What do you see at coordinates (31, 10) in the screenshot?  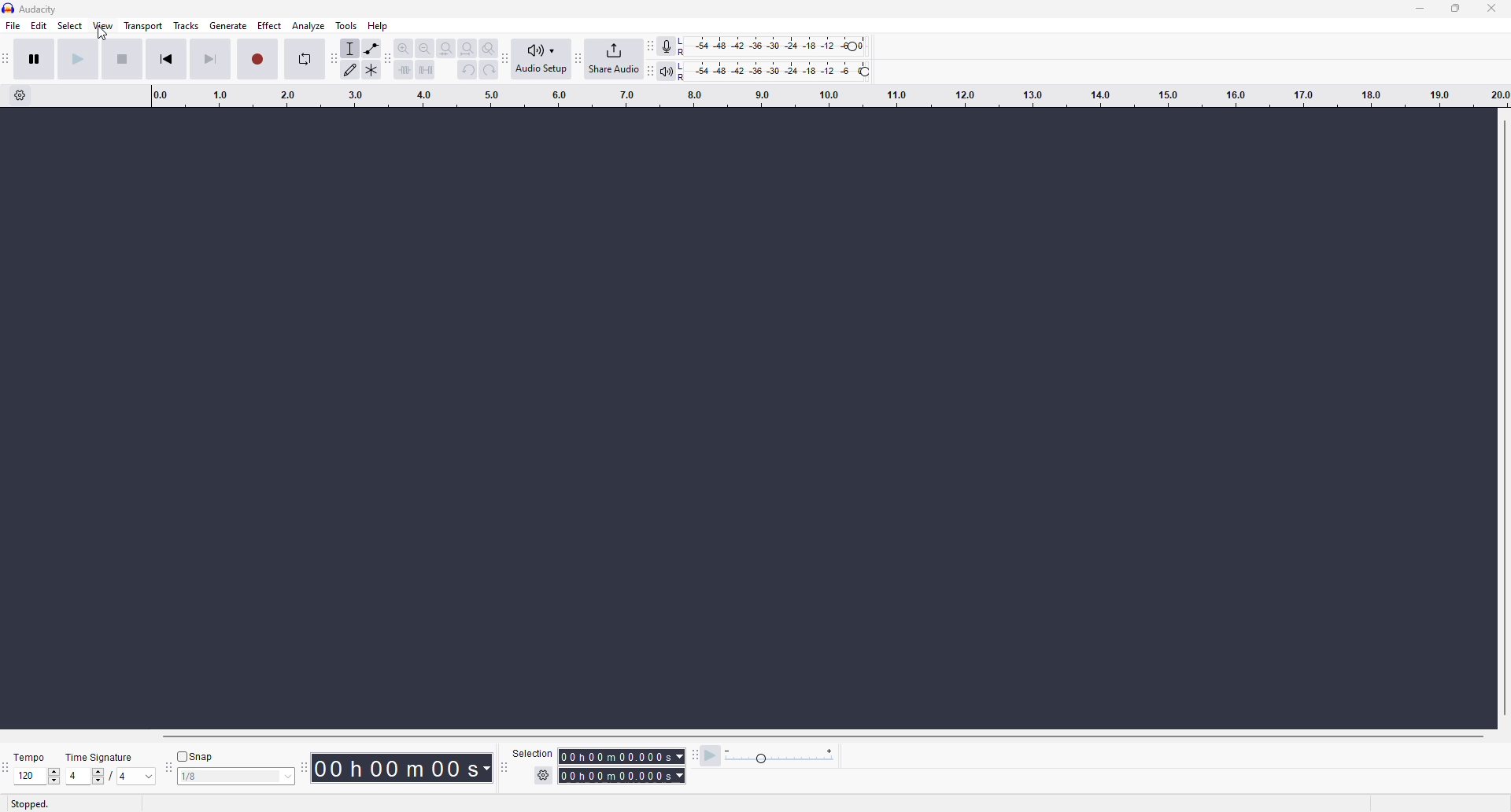 I see `audacity` at bounding box center [31, 10].